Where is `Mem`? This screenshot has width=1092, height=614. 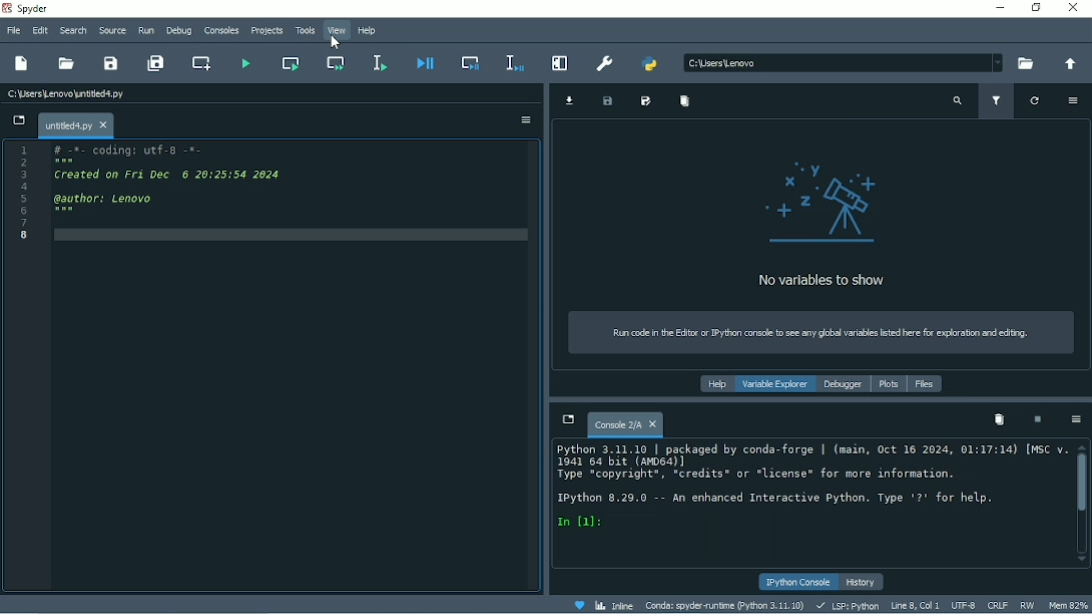
Mem is located at coordinates (1068, 605).